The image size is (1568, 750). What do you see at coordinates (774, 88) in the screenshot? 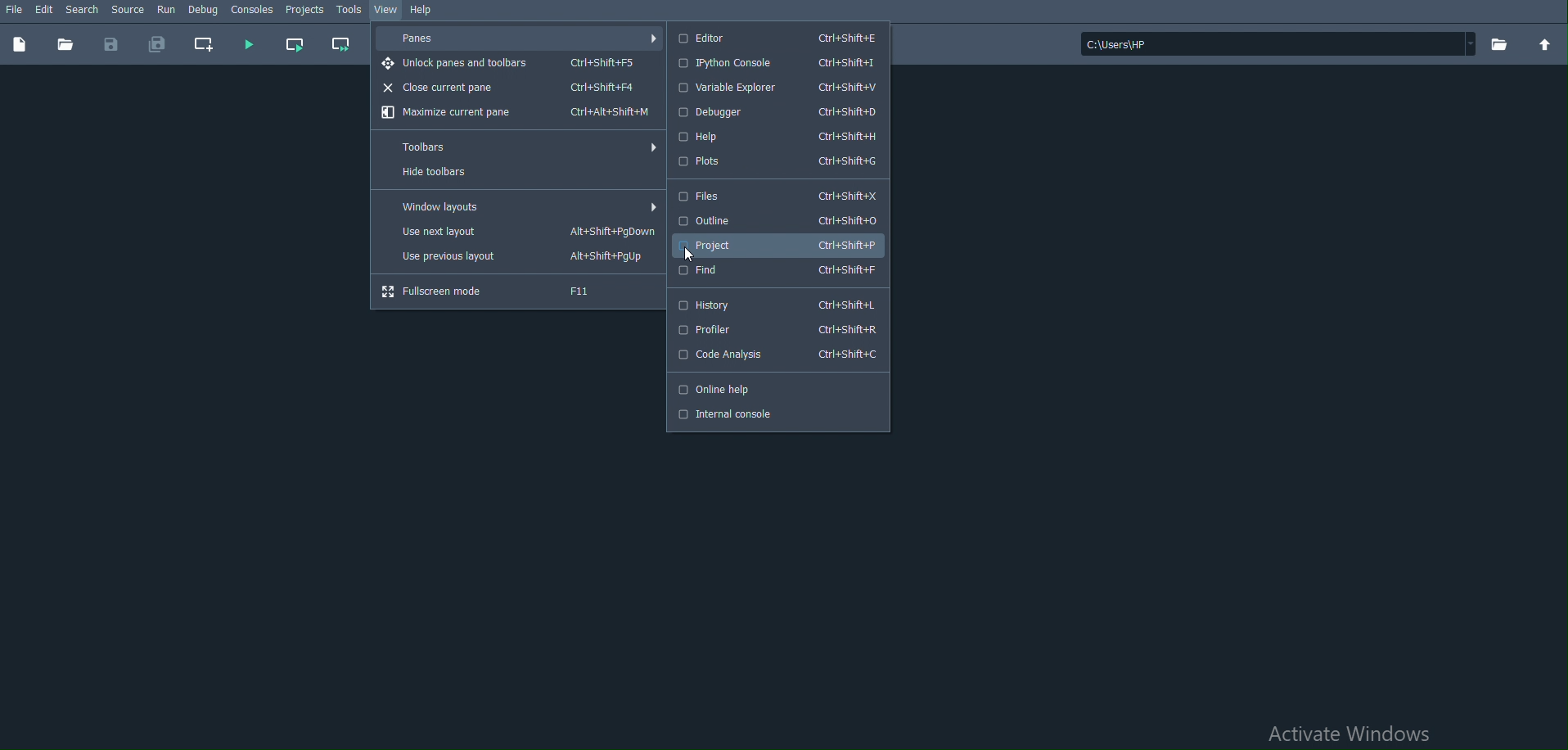
I see `Variable Explorer` at bounding box center [774, 88].